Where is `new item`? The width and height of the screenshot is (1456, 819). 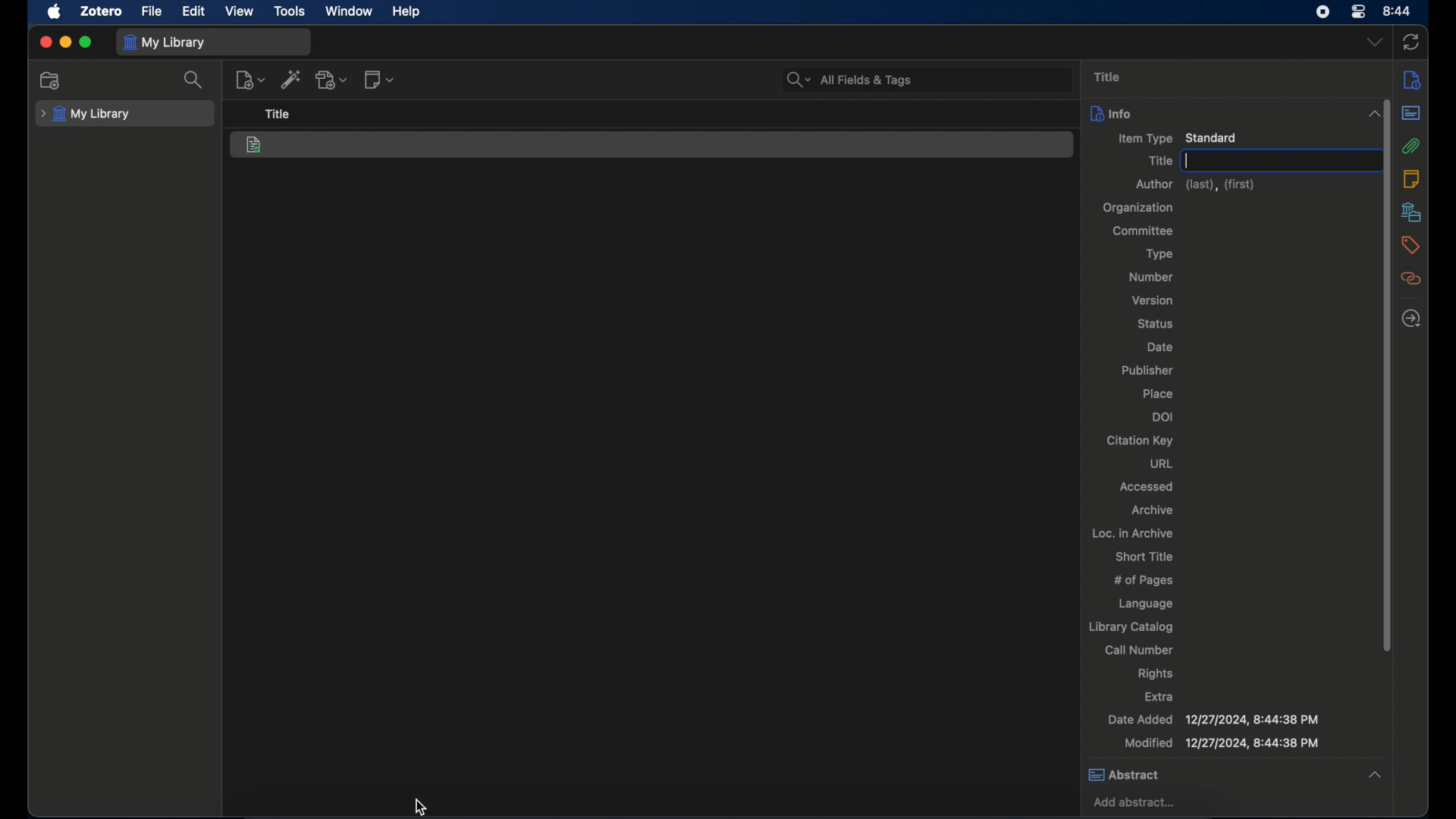
new item is located at coordinates (250, 80).